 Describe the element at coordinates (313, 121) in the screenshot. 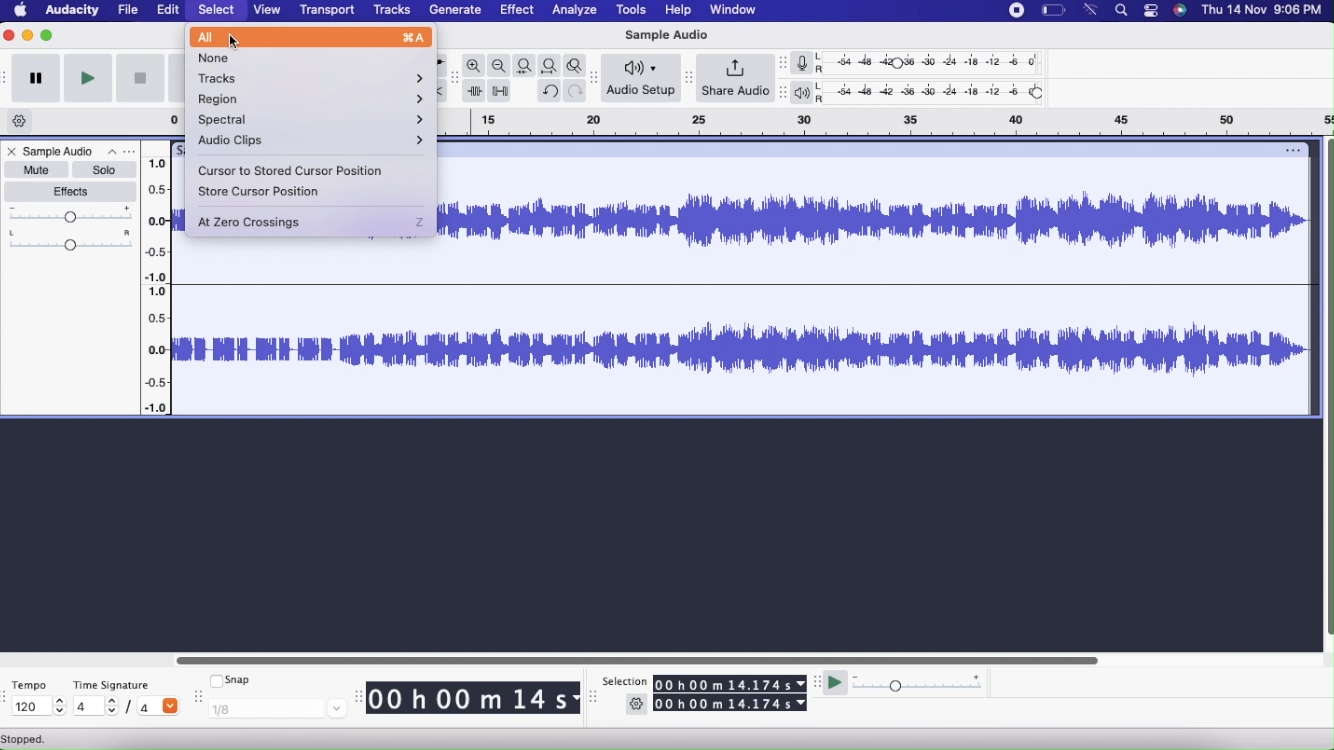

I see `Spectral` at that location.